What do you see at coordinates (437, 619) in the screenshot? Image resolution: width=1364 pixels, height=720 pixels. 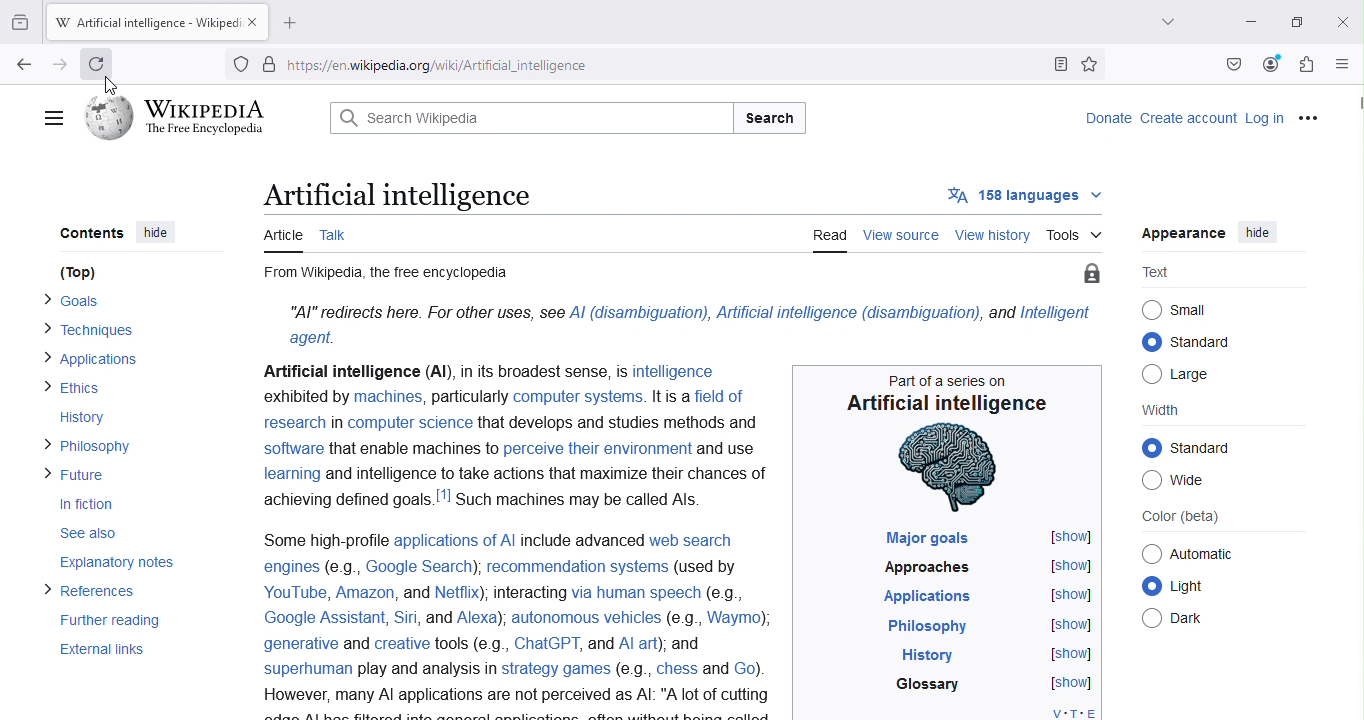 I see `and` at bounding box center [437, 619].